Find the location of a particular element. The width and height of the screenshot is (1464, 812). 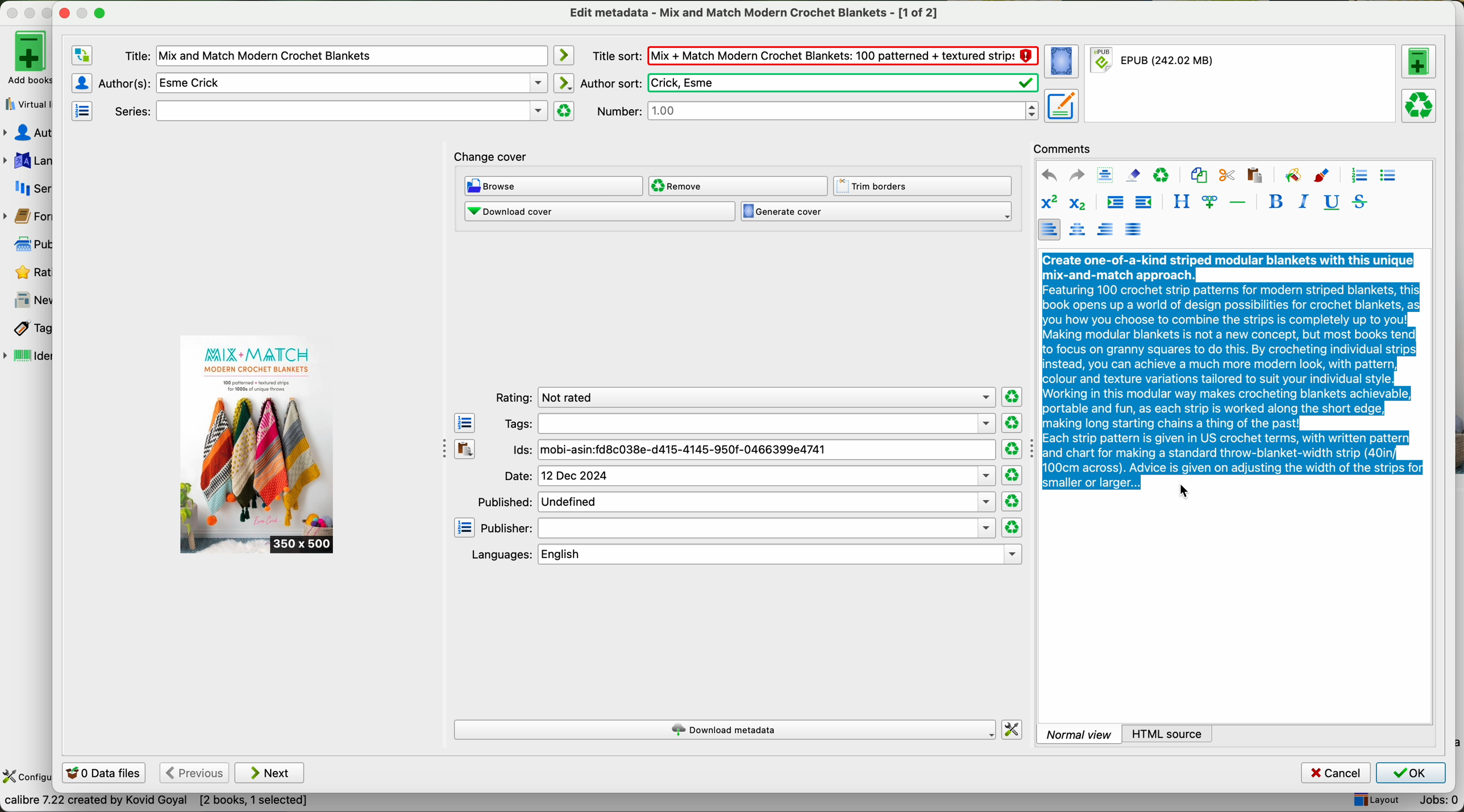

languages is located at coordinates (27, 161).